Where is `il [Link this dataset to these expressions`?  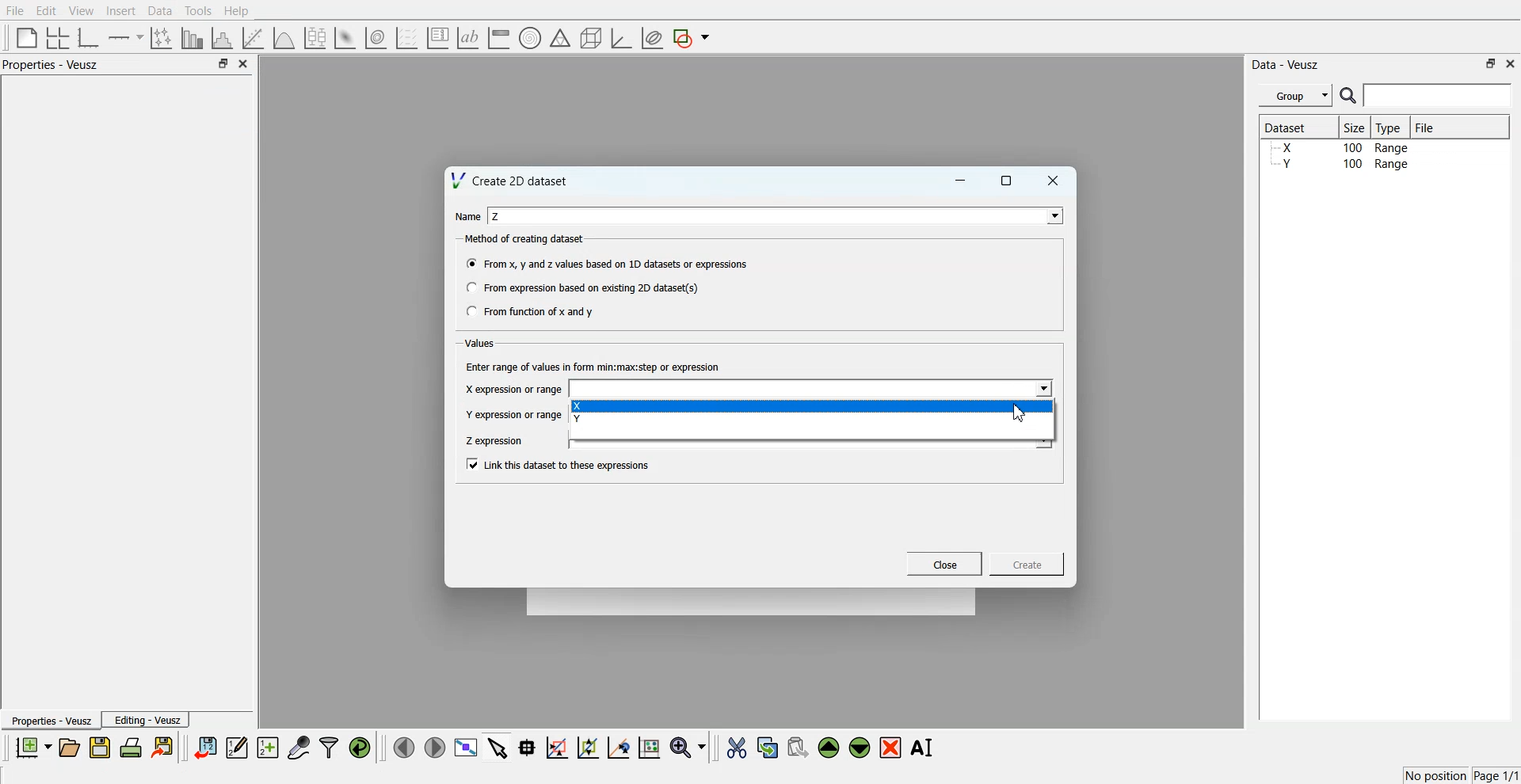
il [Link this dataset to these expressions is located at coordinates (559, 464).